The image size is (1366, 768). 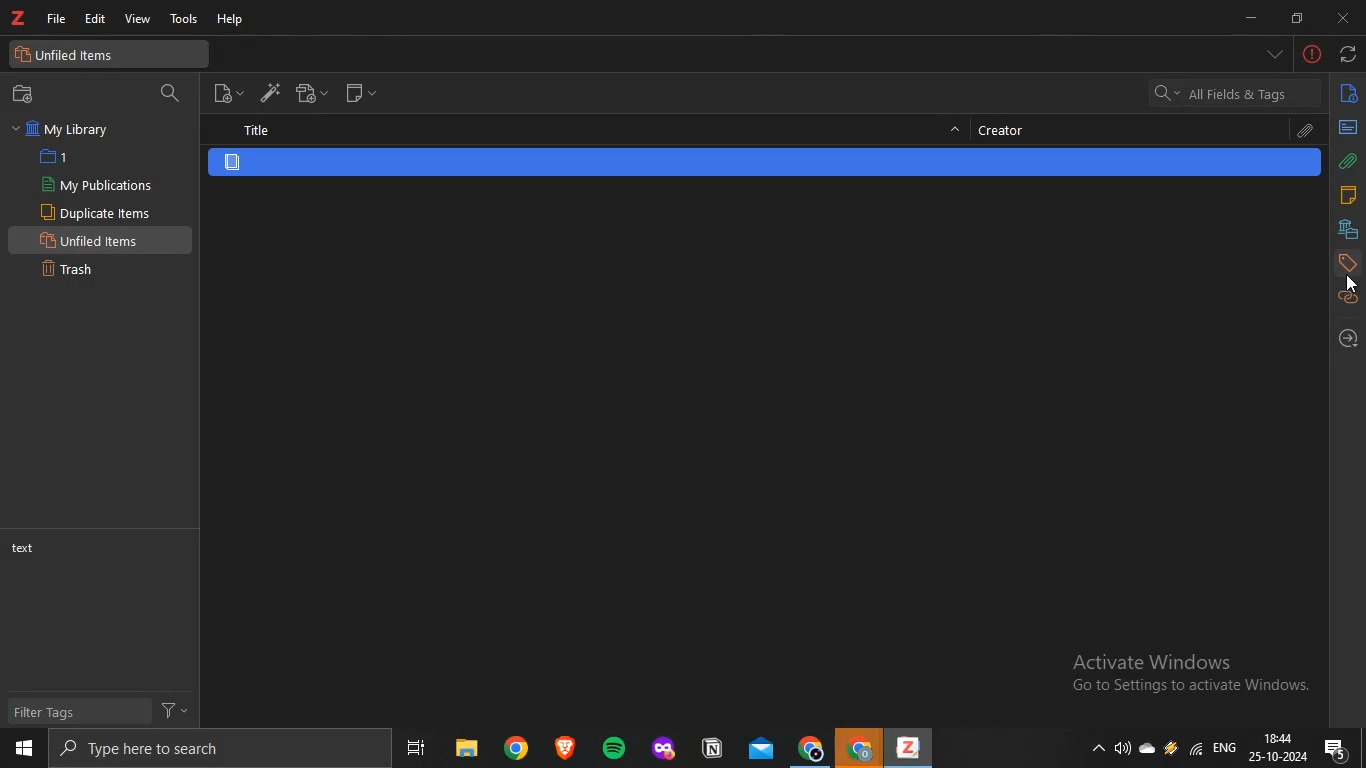 I want to click on notes, so click(x=1349, y=196).